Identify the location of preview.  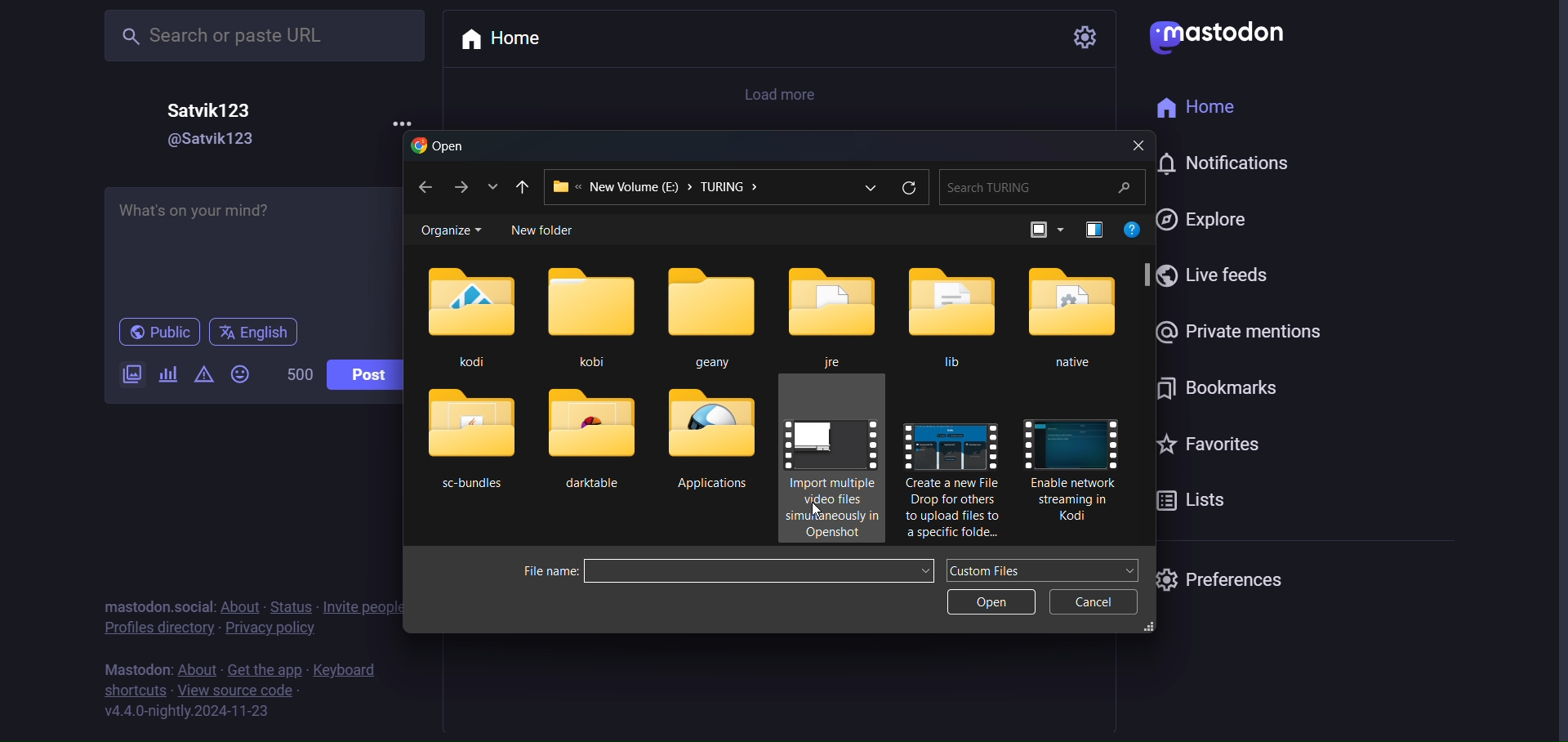
(1092, 229).